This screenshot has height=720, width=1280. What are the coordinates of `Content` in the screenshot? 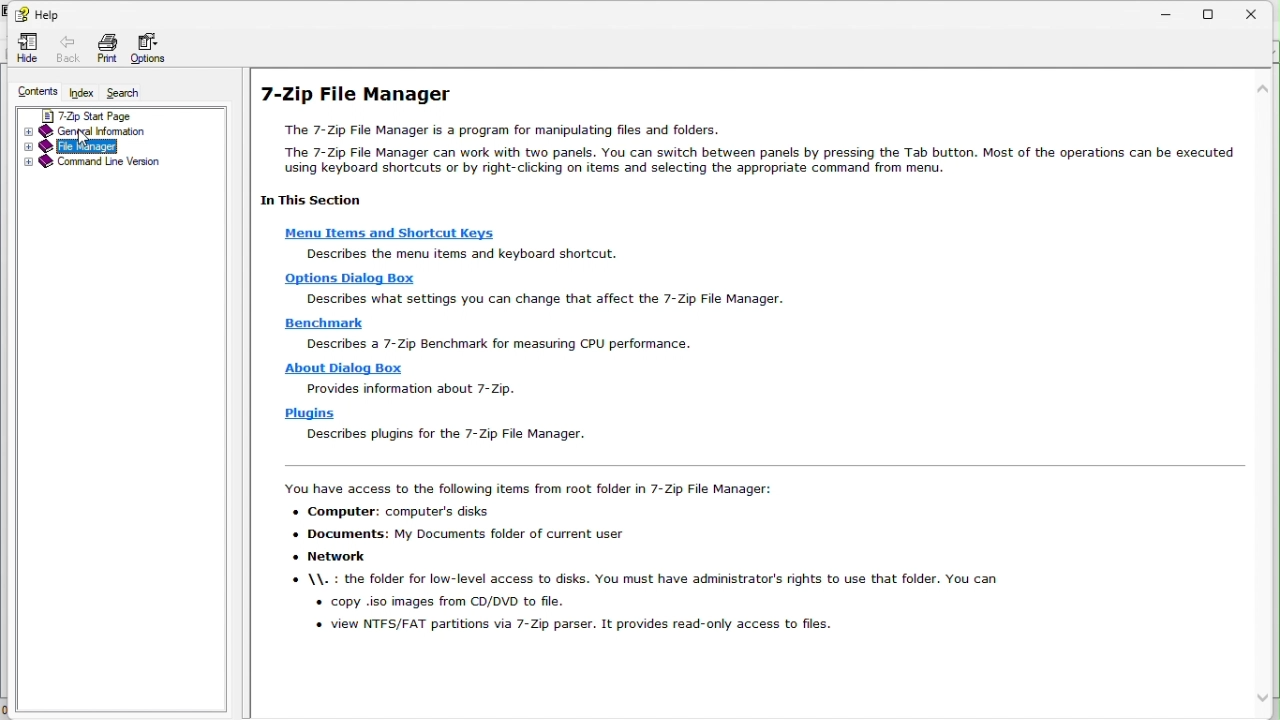 It's located at (35, 91).